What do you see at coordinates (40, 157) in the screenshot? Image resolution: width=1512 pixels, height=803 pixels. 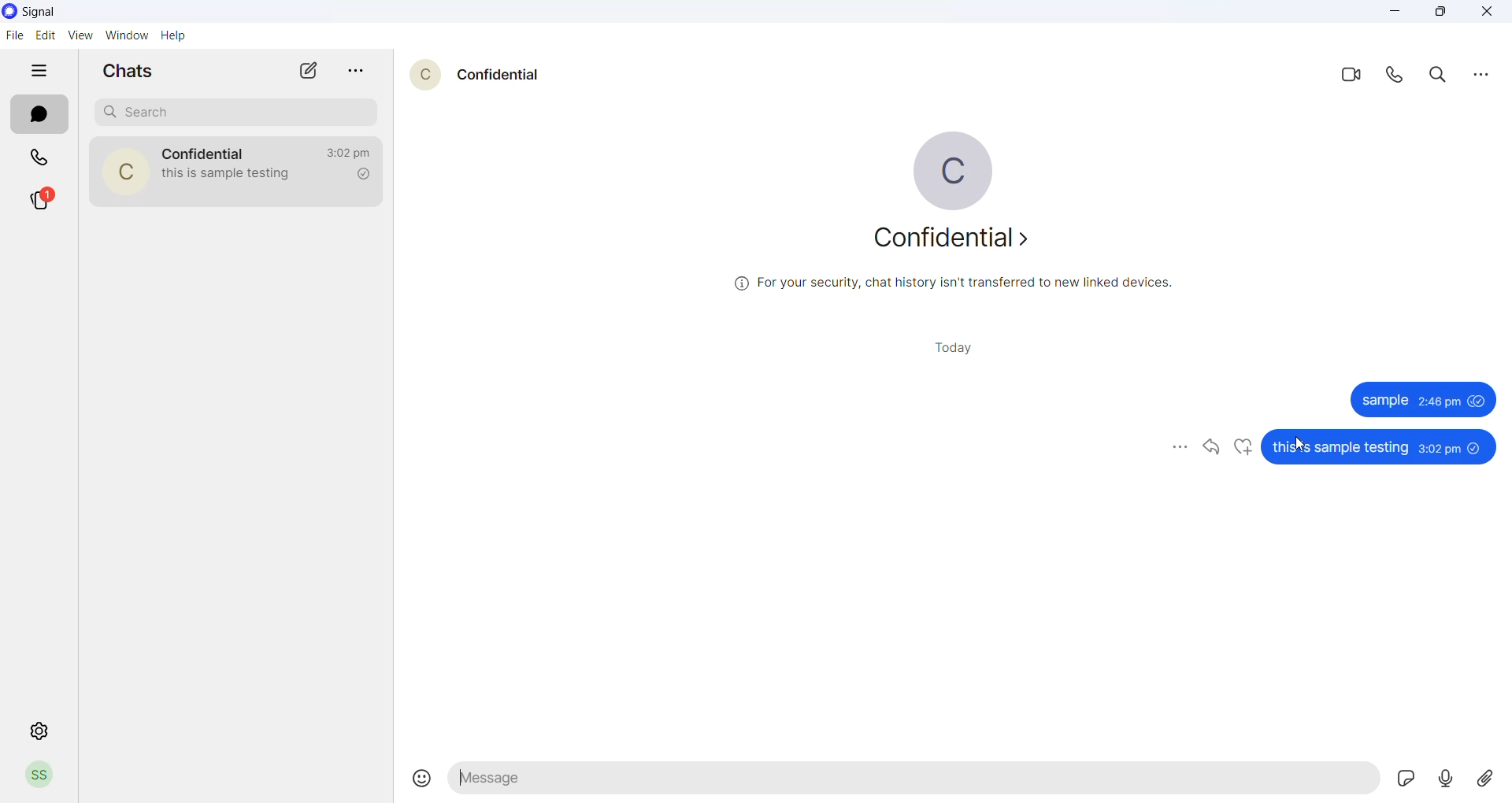 I see `calls` at bounding box center [40, 157].